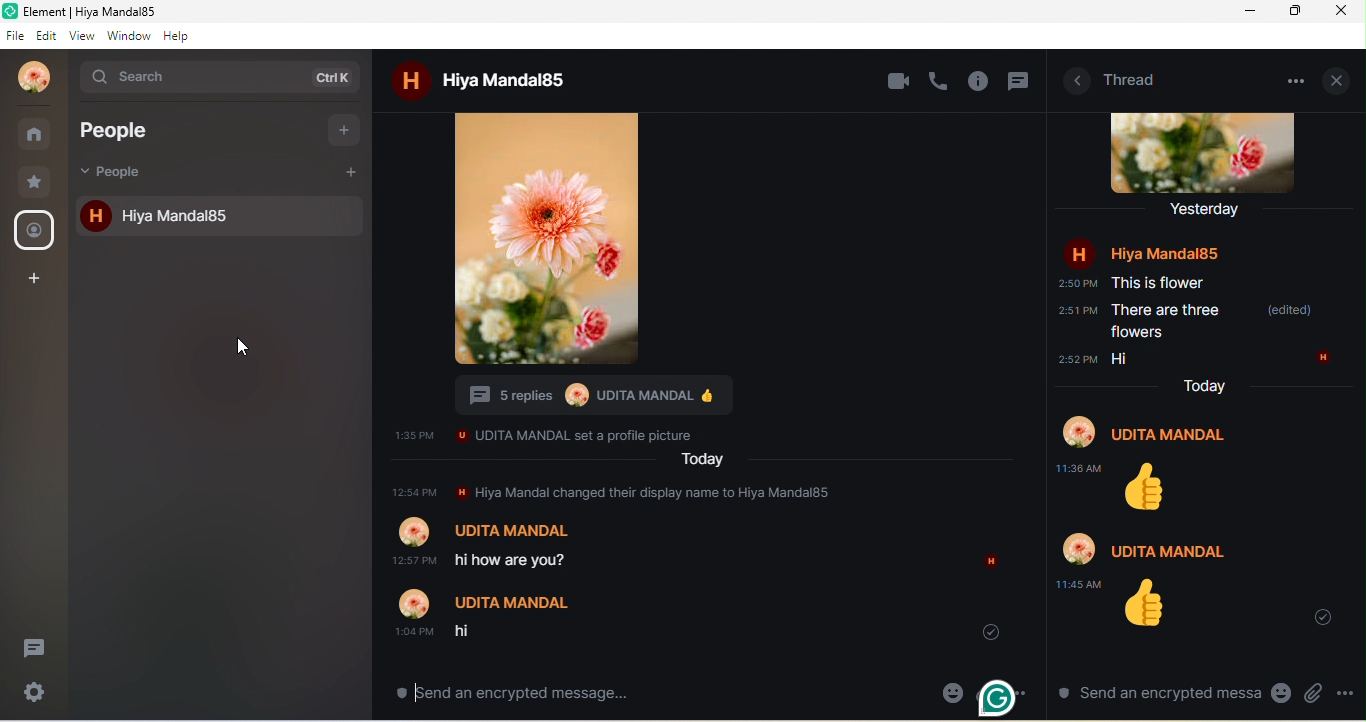  What do you see at coordinates (134, 129) in the screenshot?
I see `people` at bounding box center [134, 129].